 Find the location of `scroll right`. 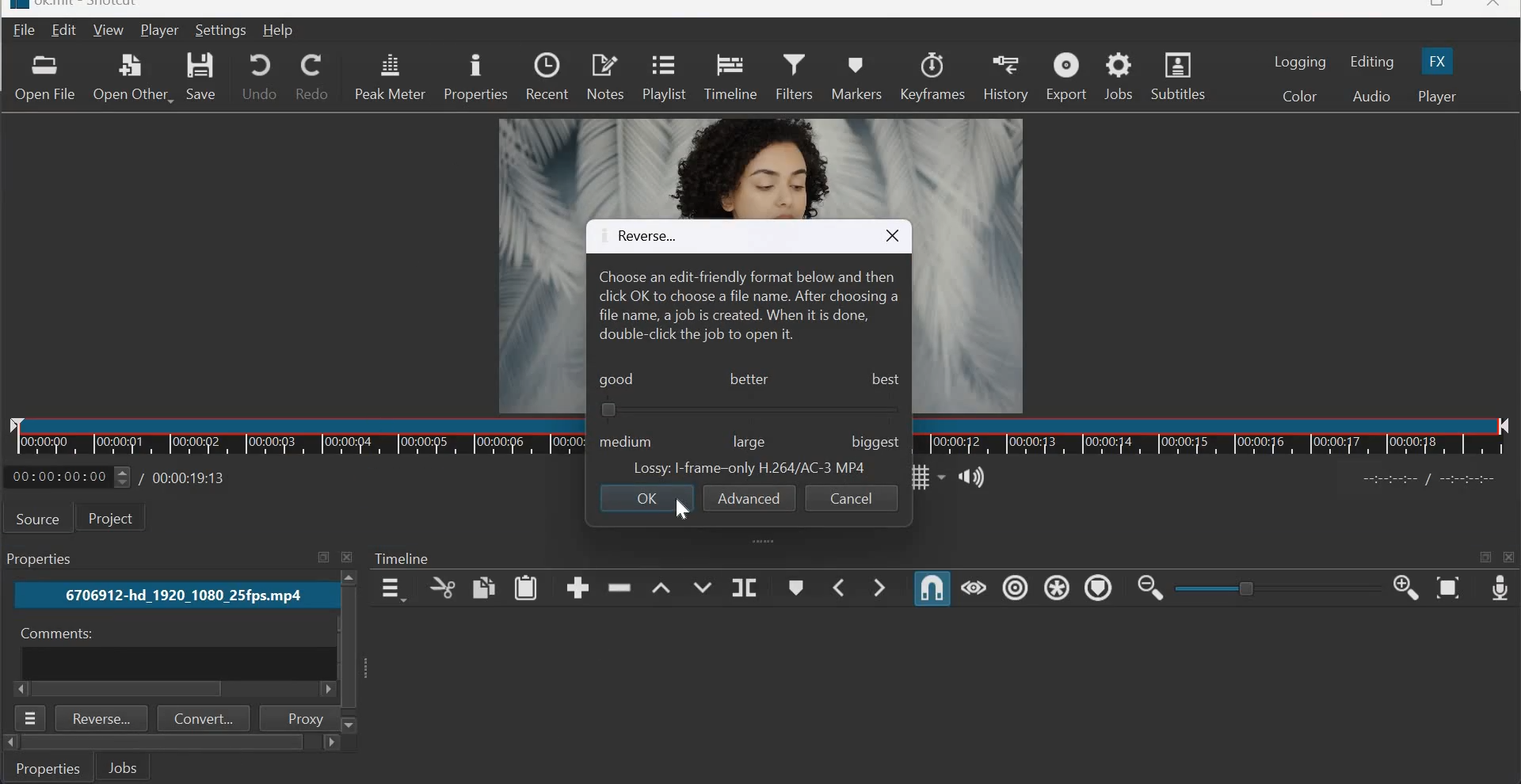

scroll right is located at coordinates (330, 744).